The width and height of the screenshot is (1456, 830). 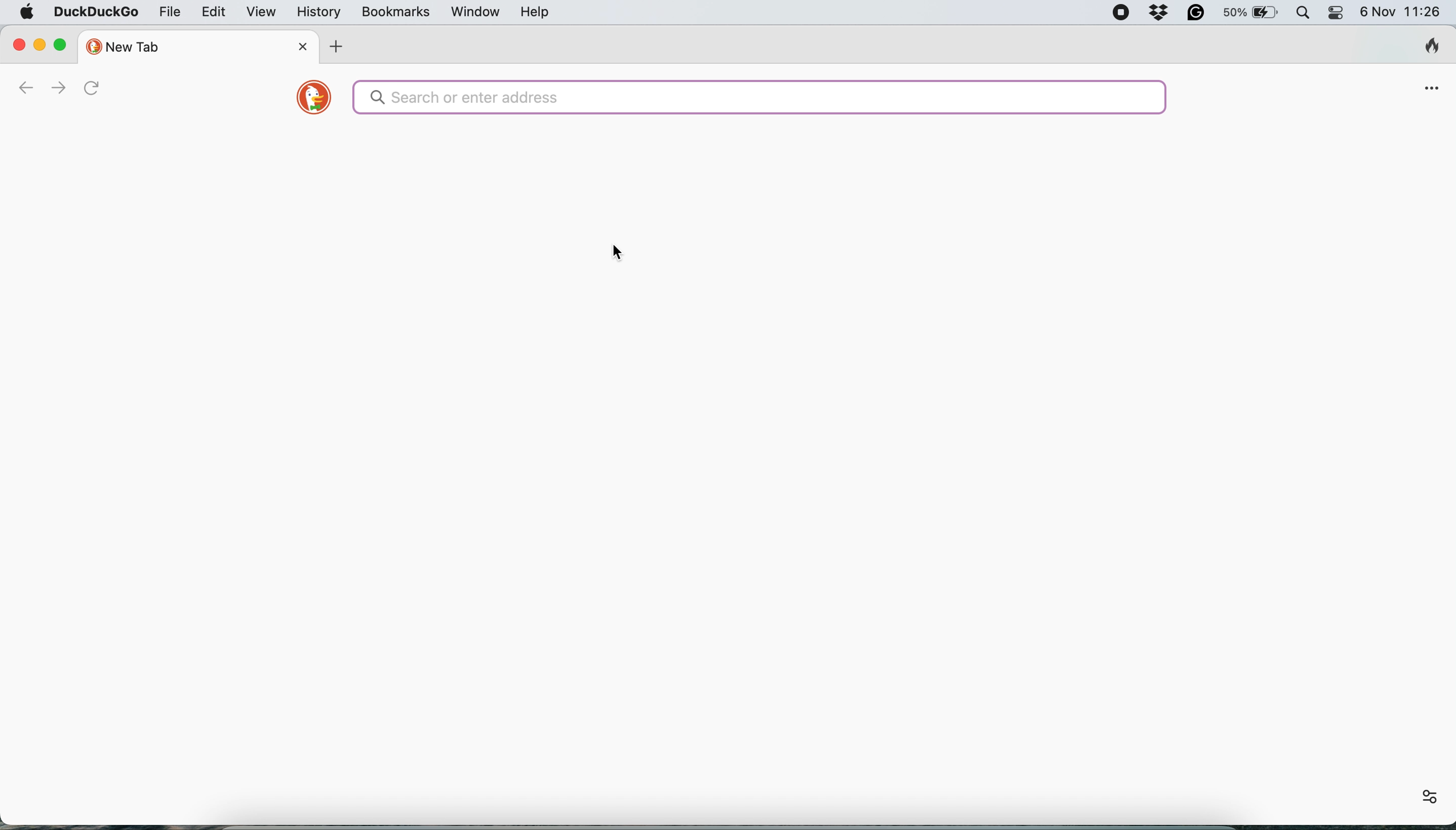 What do you see at coordinates (299, 46) in the screenshot?
I see `close` at bounding box center [299, 46].